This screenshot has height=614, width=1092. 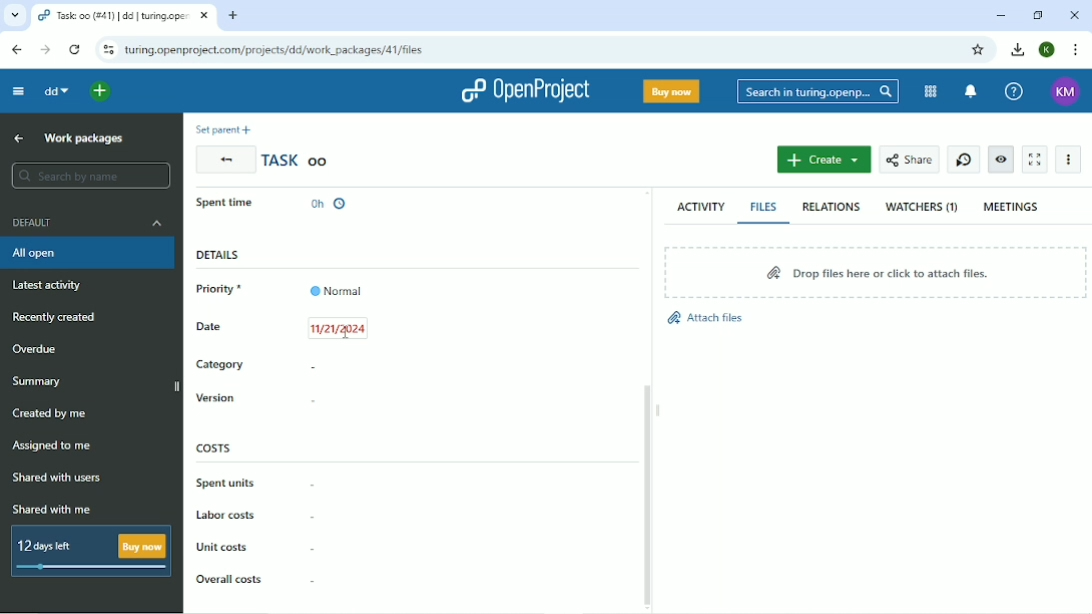 I want to click on Customize and control google chrome, so click(x=1074, y=50).